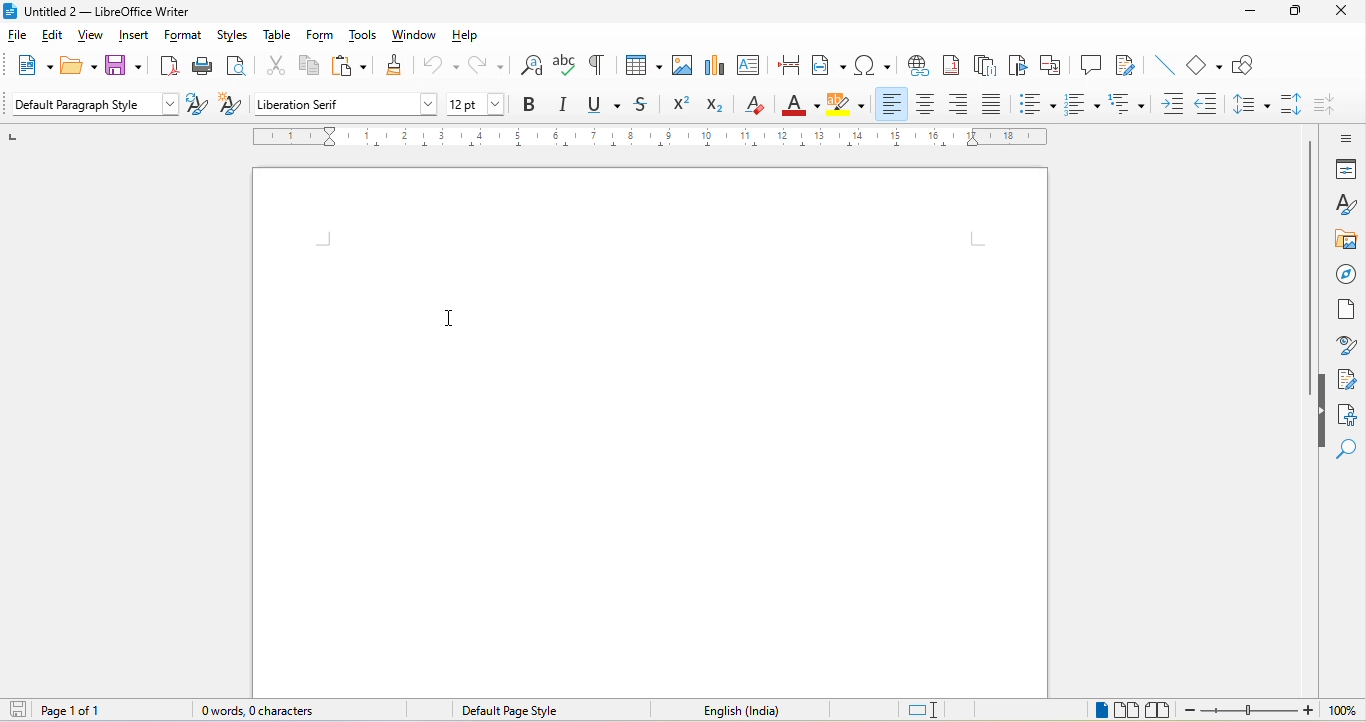 The height and width of the screenshot is (722, 1366). I want to click on style inspecter, so click(1346, 347).